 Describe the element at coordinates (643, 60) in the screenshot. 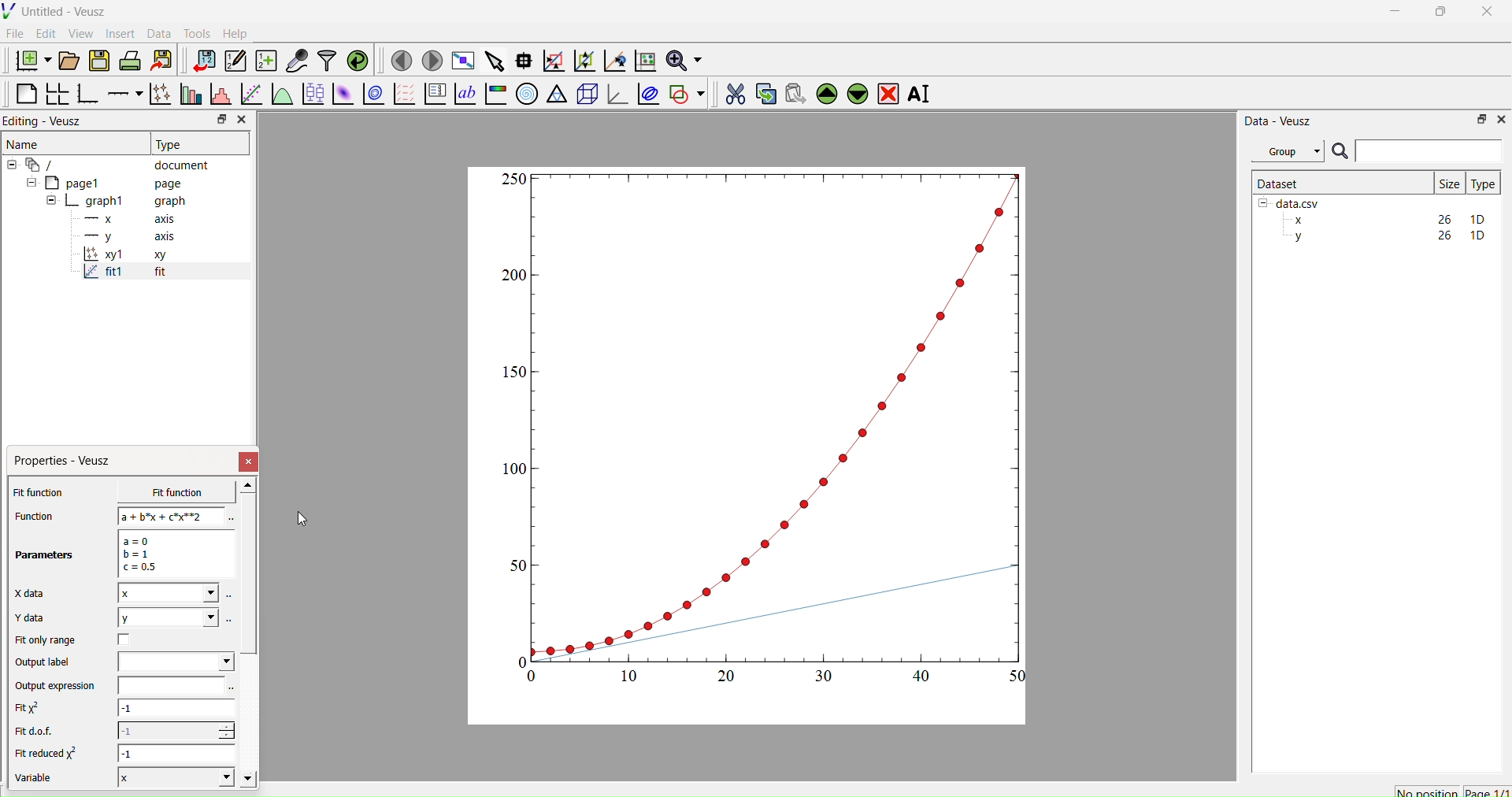

I see `Reset graph axis` at that location.